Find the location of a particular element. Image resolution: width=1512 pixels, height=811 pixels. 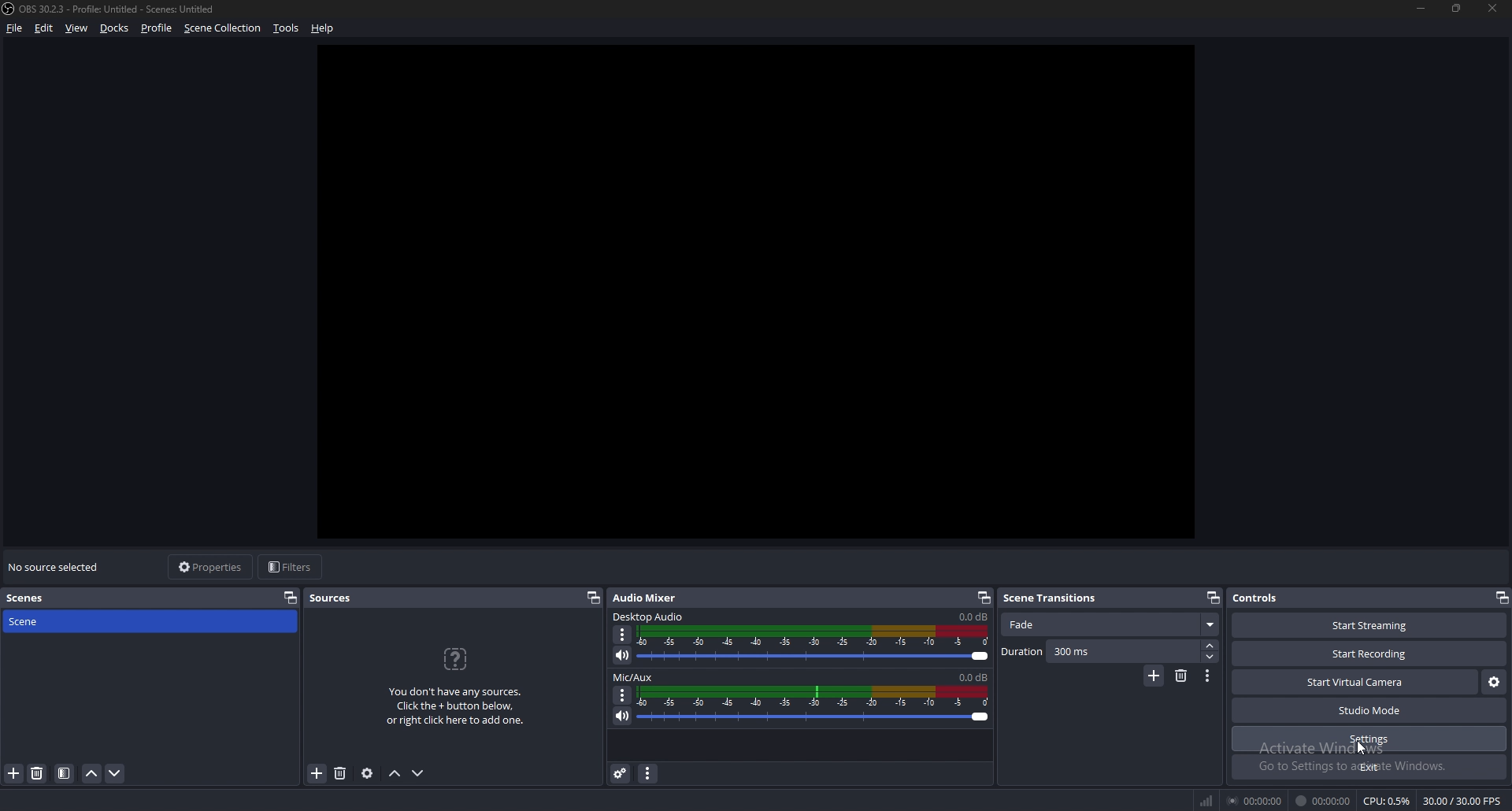

minimize is located at coordinates (1421, 7).